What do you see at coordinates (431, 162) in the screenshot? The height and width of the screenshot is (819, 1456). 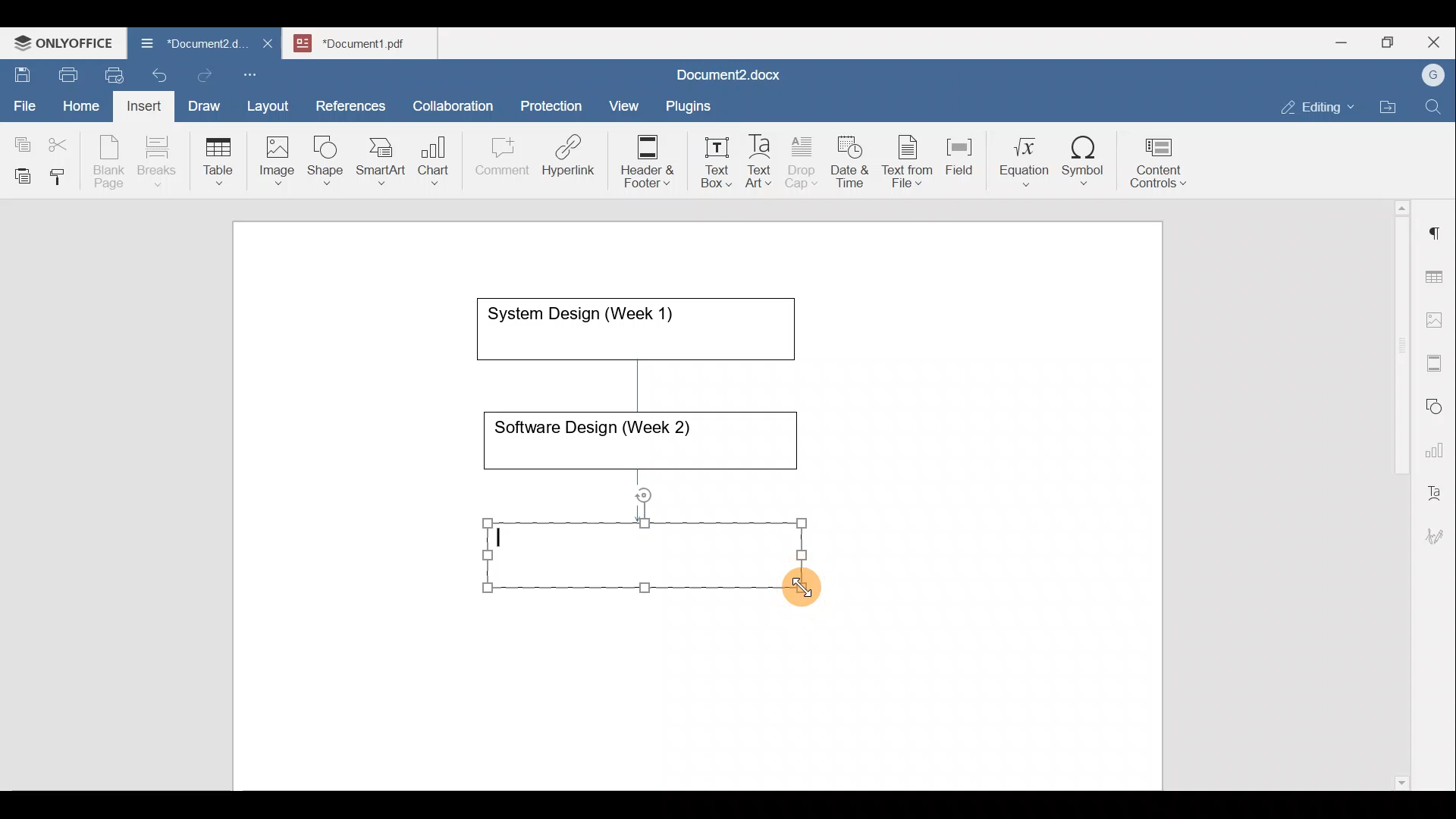 I see `Chart` at bounding box center [431, 162].